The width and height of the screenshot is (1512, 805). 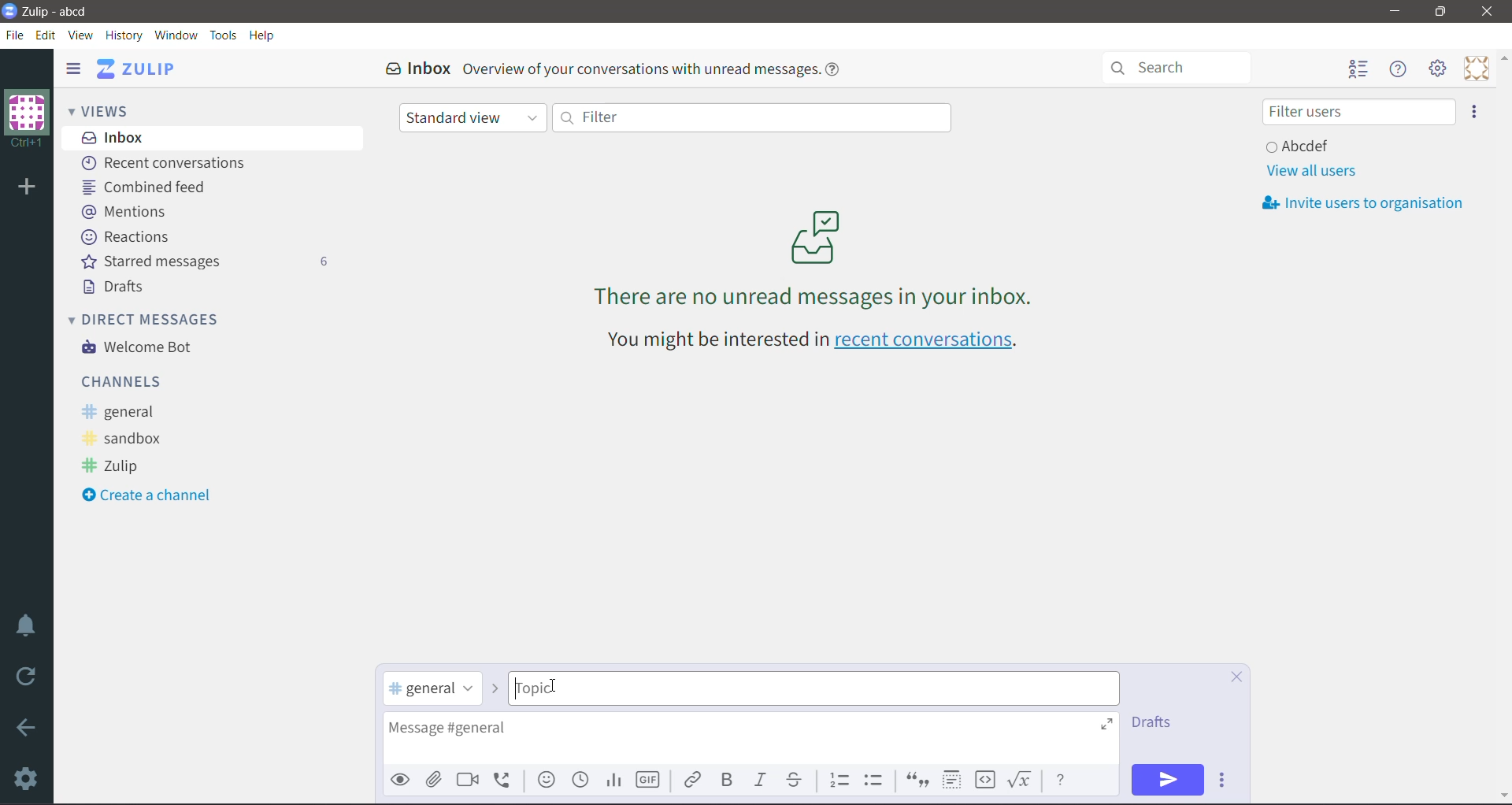 What do you see at coordinates (473, 119) in the screenshot?
I see `Standard view` at bounding box center [473, 119].